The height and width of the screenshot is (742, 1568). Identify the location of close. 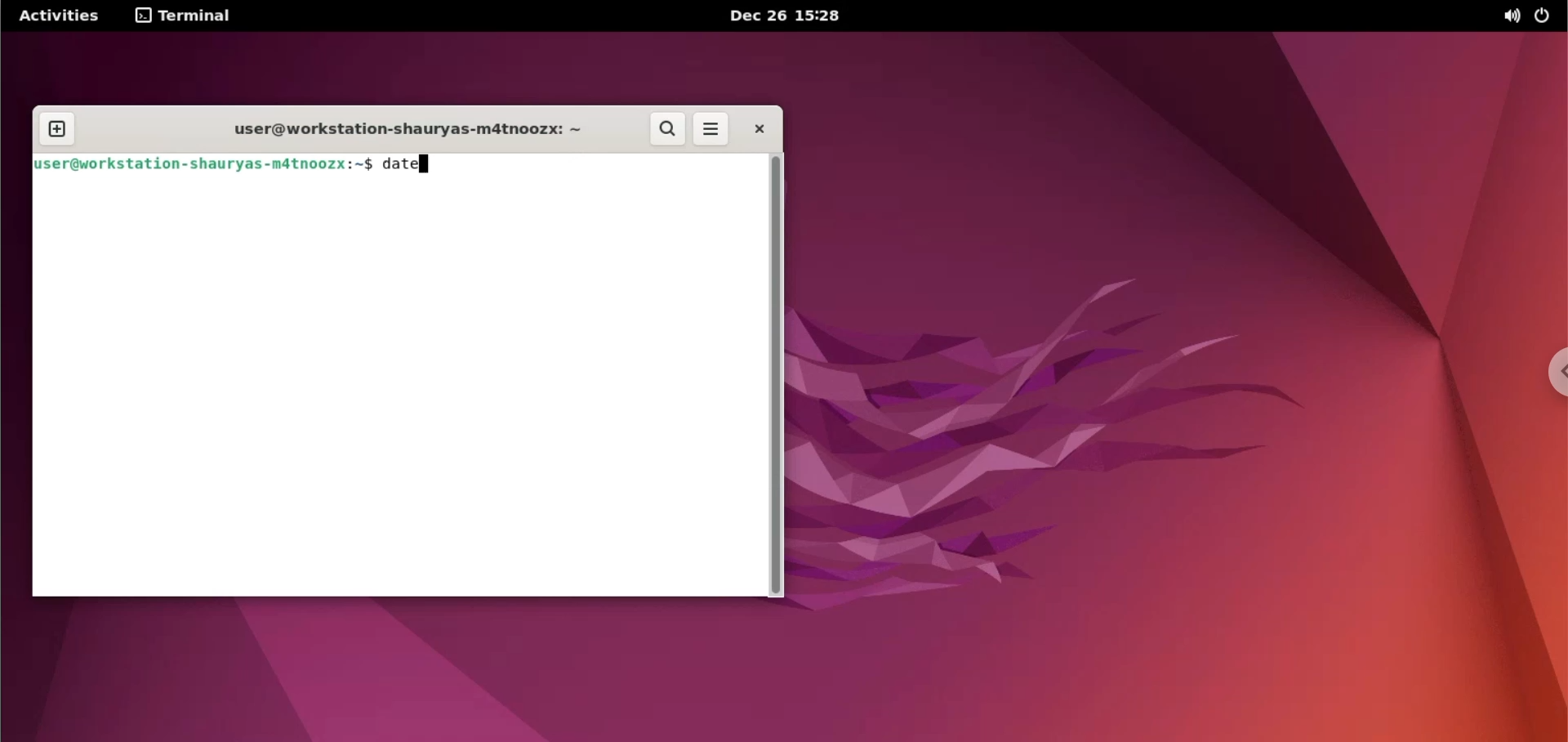
(752, 128).